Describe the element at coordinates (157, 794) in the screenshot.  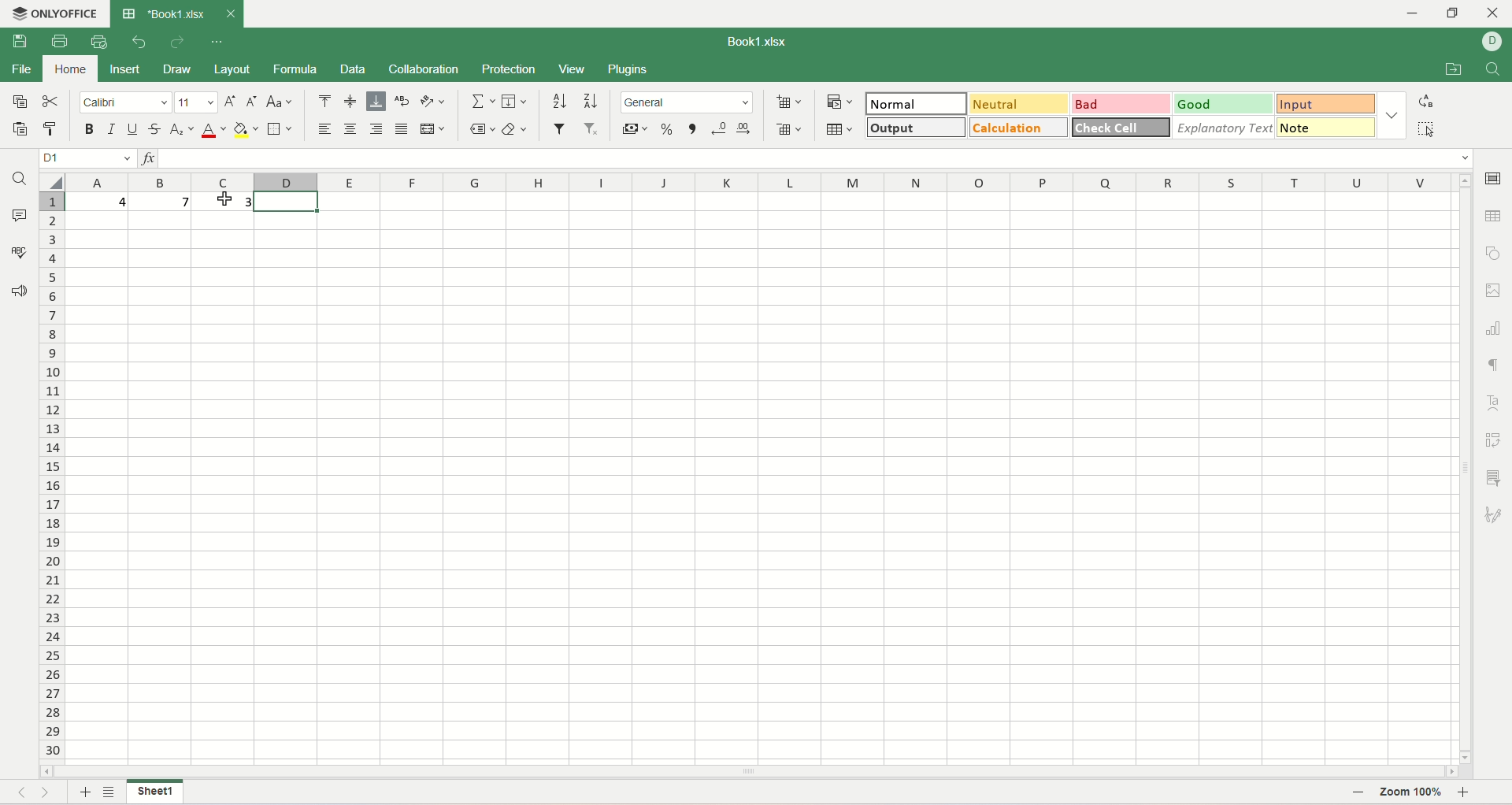
I see `sheet name` at that location.